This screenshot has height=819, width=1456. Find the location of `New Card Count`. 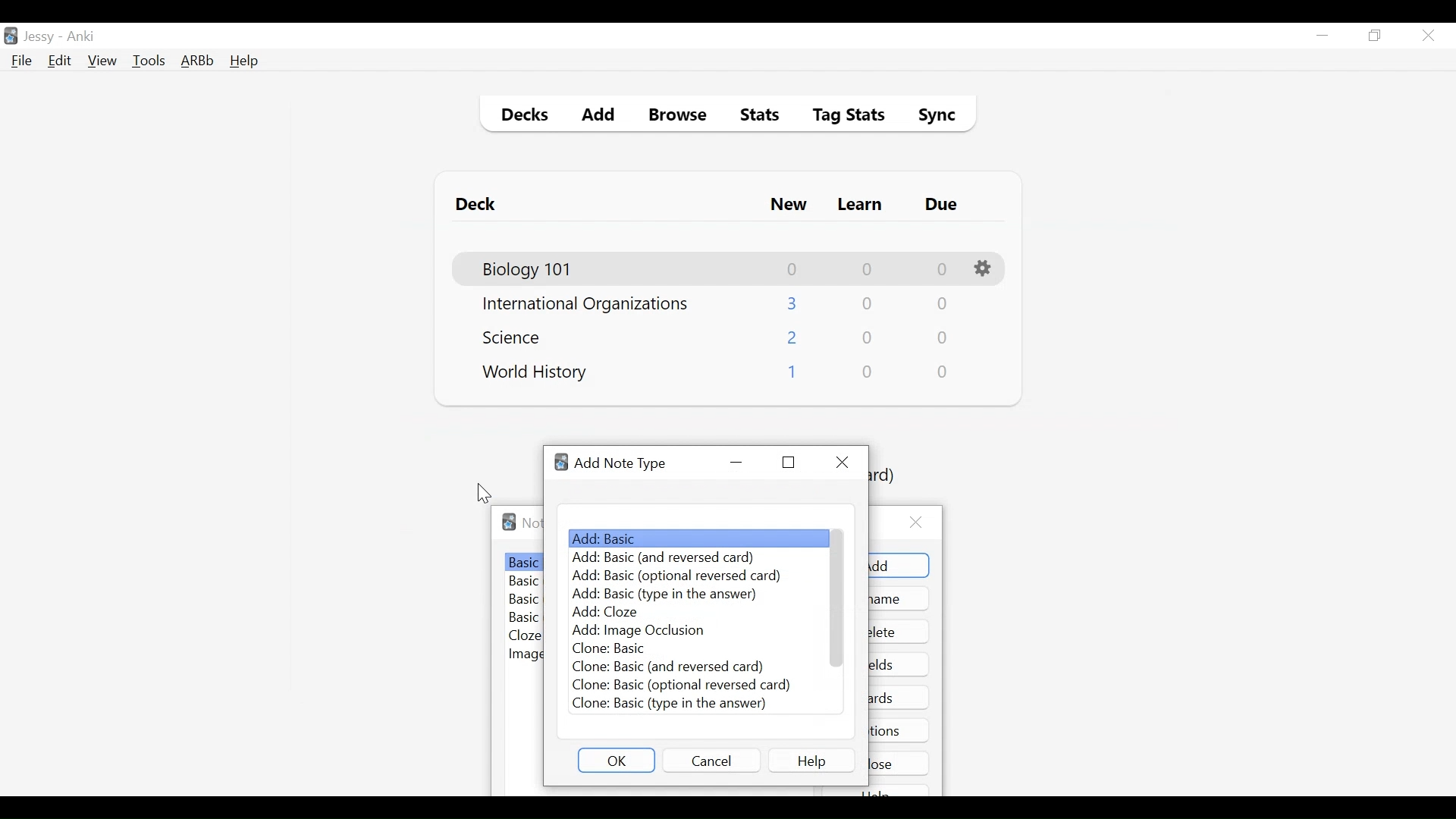

New Card Count is located at coordinates (791, 375).